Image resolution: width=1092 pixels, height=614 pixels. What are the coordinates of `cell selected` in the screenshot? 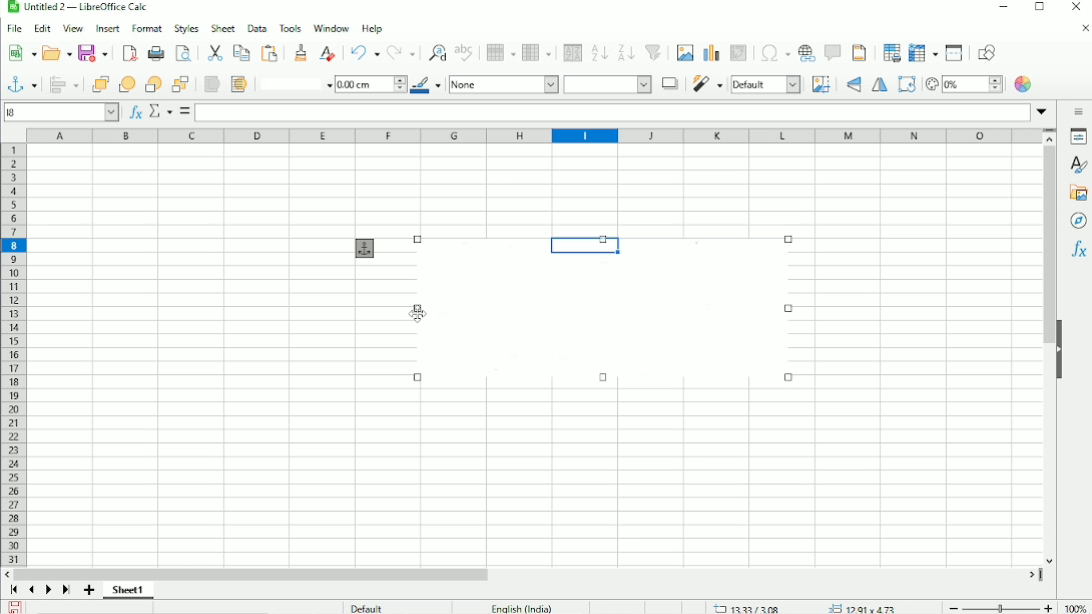 It's located at (581, 244).